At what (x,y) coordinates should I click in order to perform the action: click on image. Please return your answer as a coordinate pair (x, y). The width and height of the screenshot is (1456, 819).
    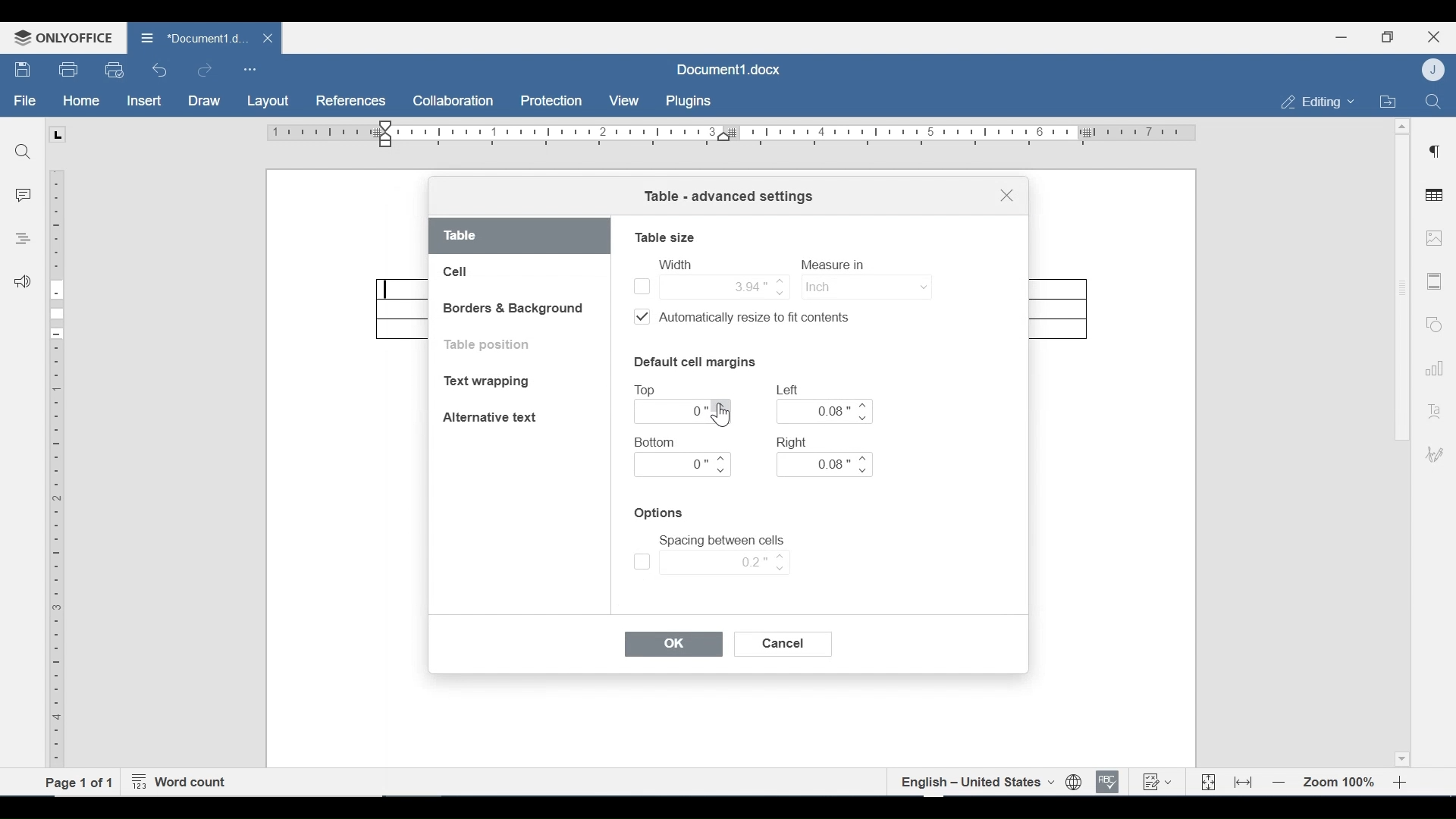
    Looking at the image, I should click on (1434, 237).